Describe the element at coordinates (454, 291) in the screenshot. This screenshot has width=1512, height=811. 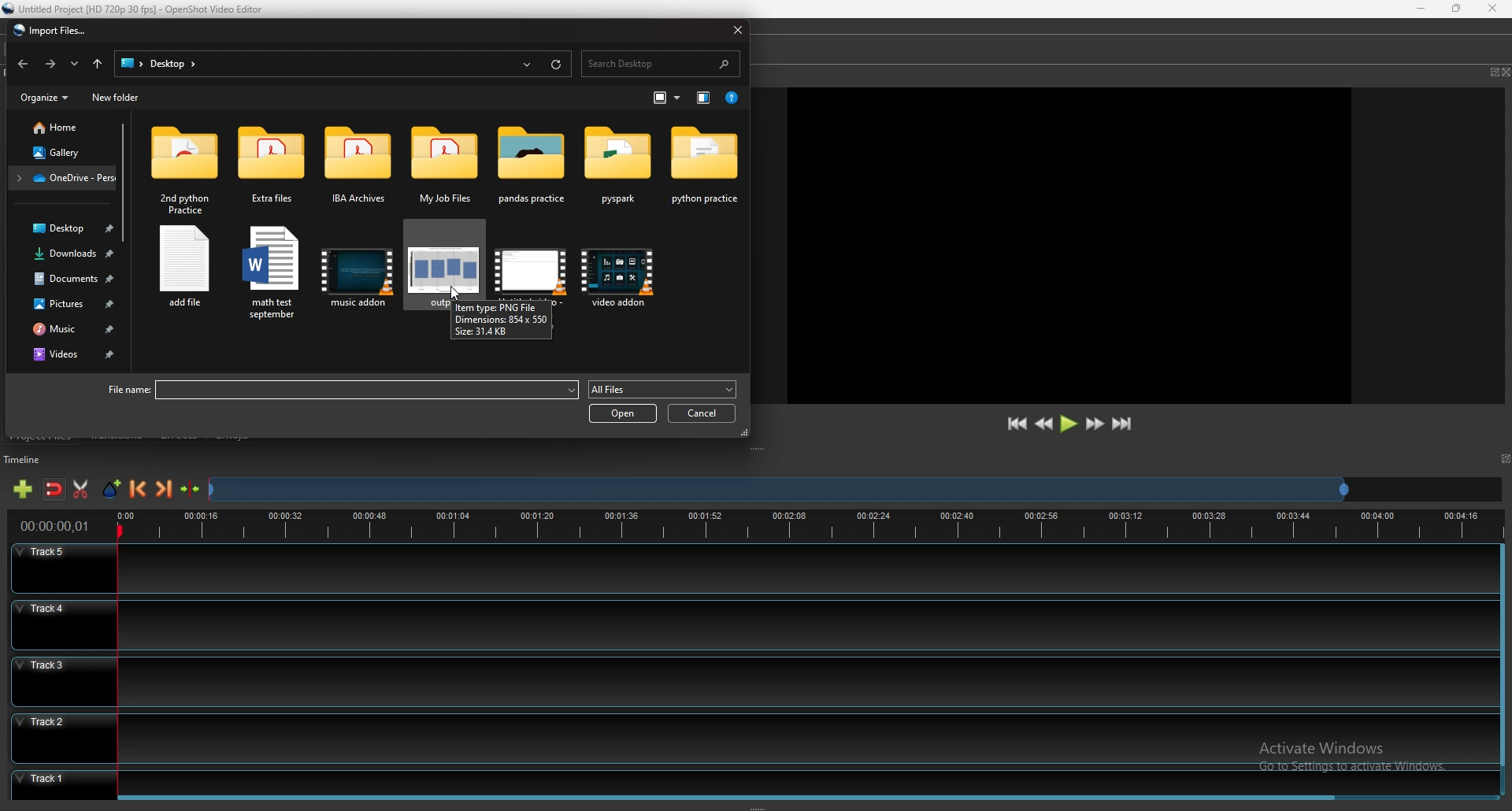
I see `cursor` at that location.